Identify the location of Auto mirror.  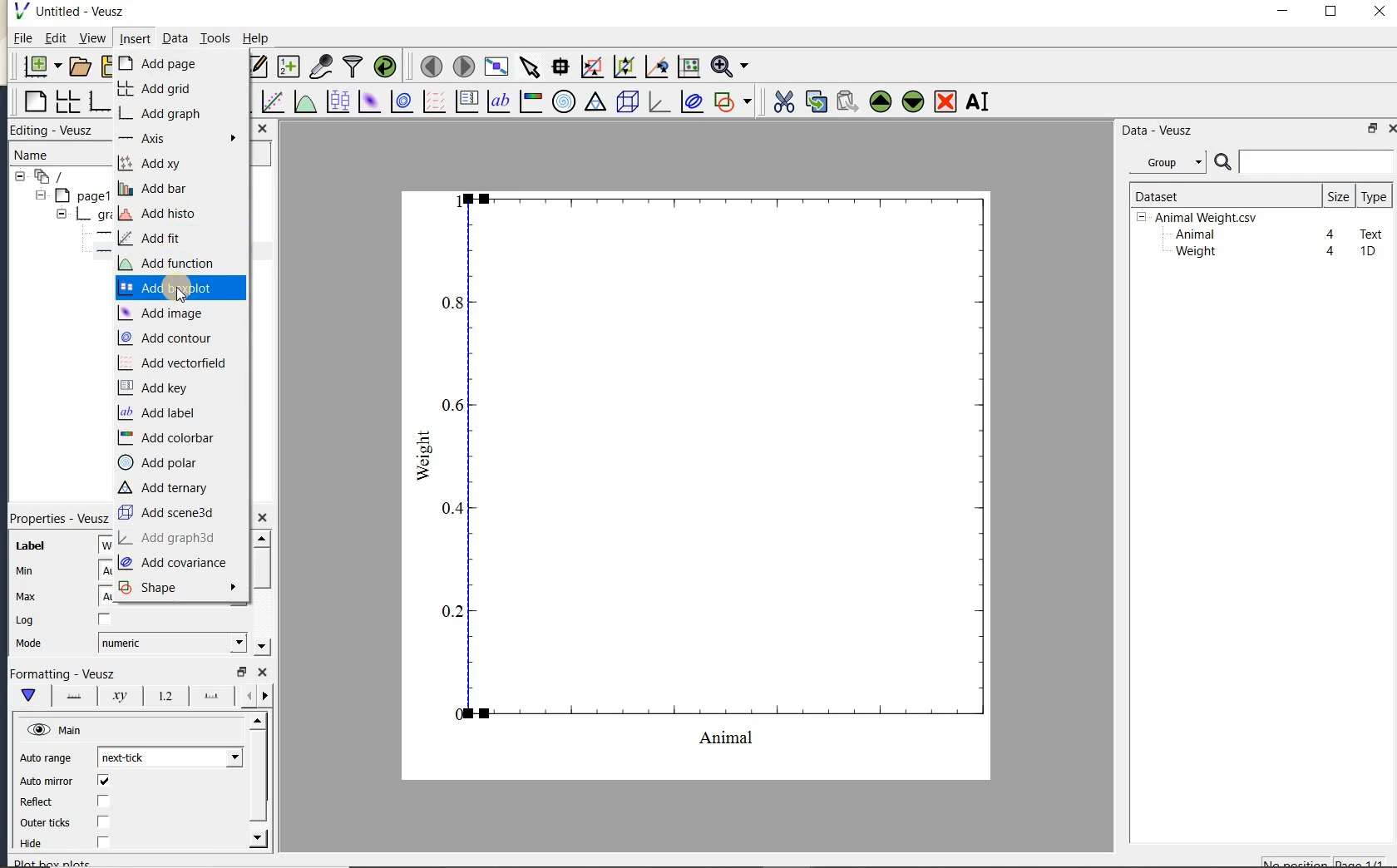
(44, 782).